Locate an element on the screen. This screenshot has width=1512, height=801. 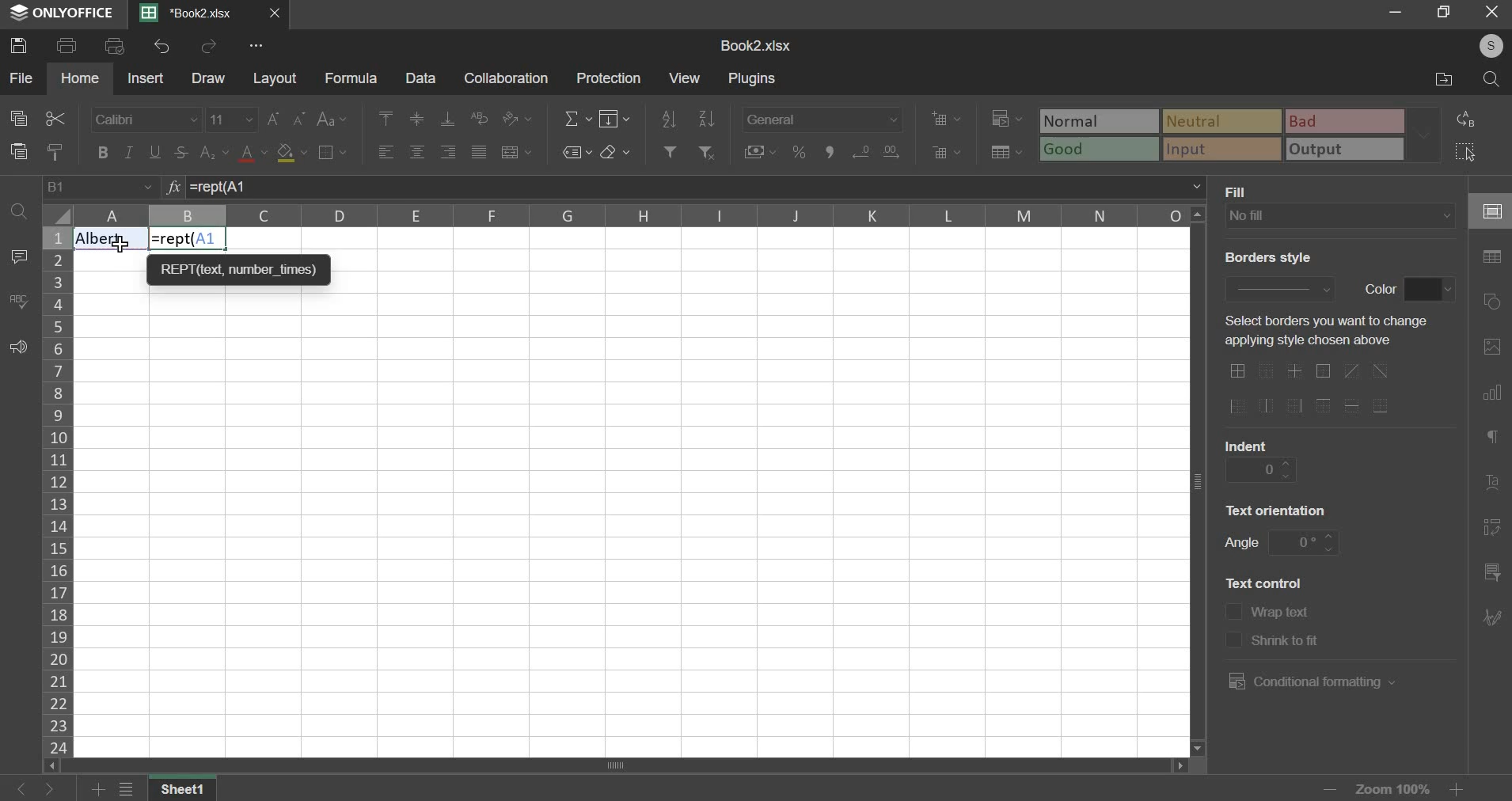
cut is located at coordinates (55, 117).